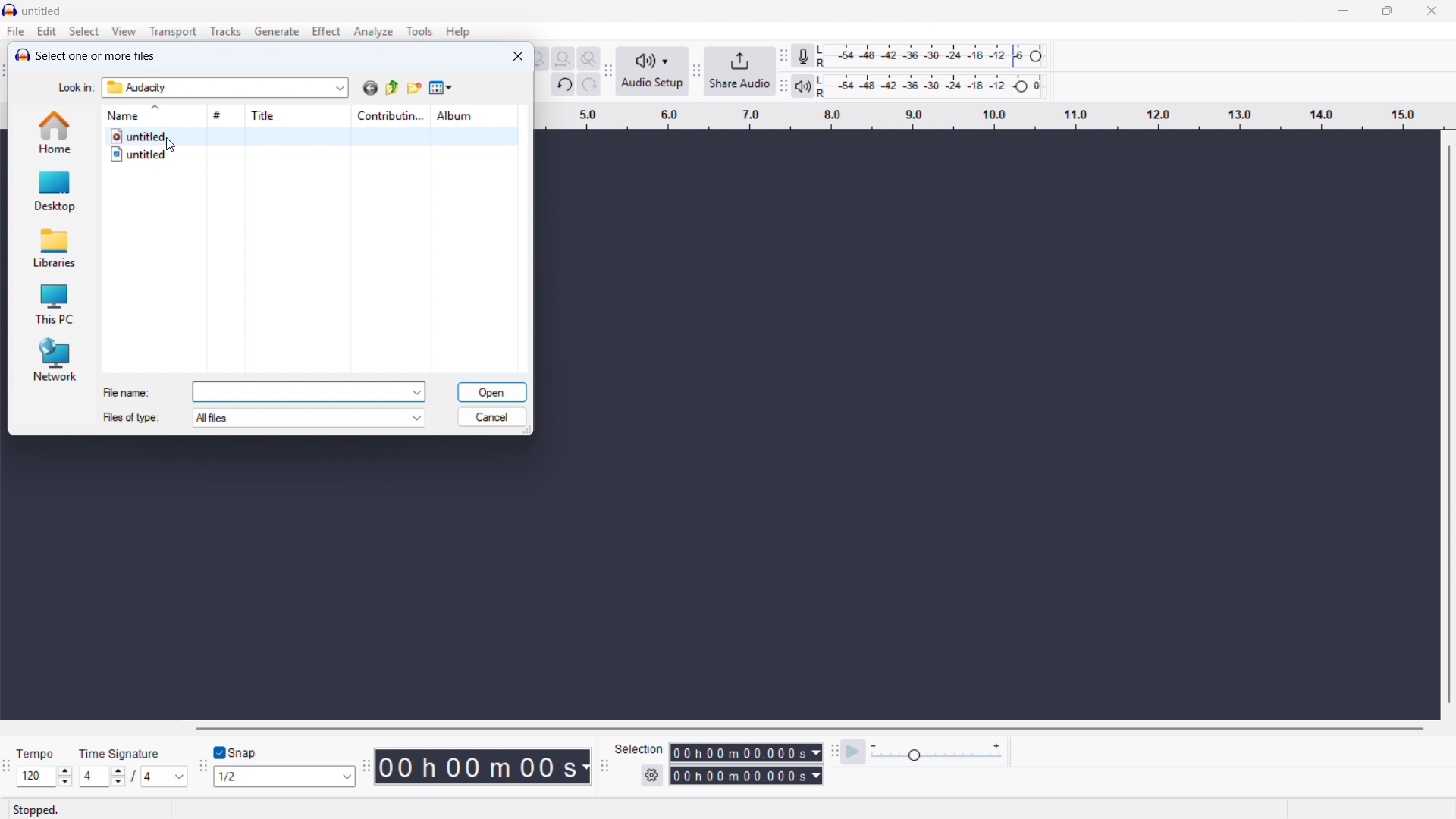 Image resolution: width=1456 pixels, height=819 pixels. Describe the element at coordinates (420, 30) in the screenshot. I see `Tools ` at that location.